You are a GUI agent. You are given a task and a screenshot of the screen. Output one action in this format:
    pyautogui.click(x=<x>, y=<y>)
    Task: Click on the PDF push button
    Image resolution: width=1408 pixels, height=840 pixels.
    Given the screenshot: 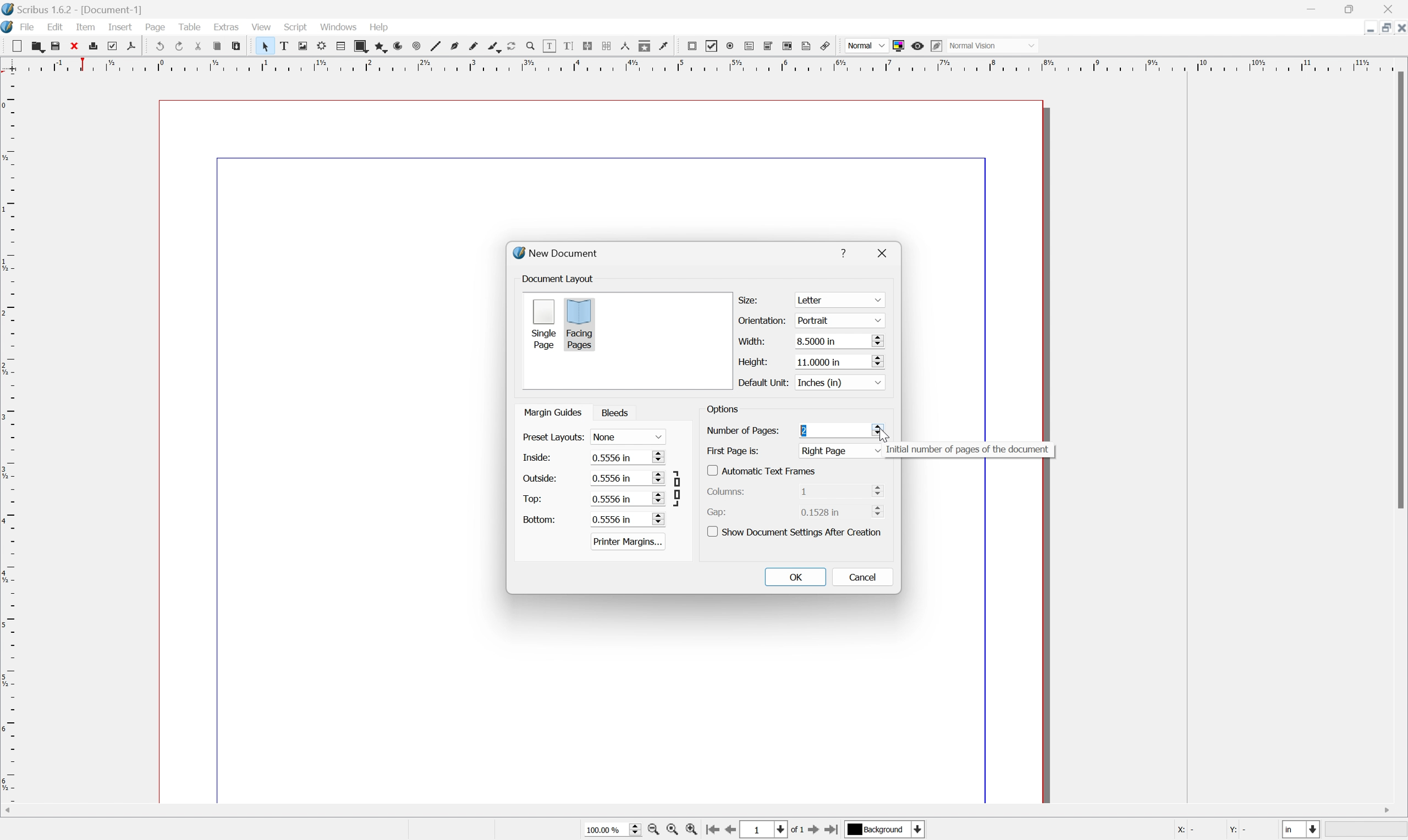 What is the action you would take?
    pyautogui.click(x=691, y=46)
    